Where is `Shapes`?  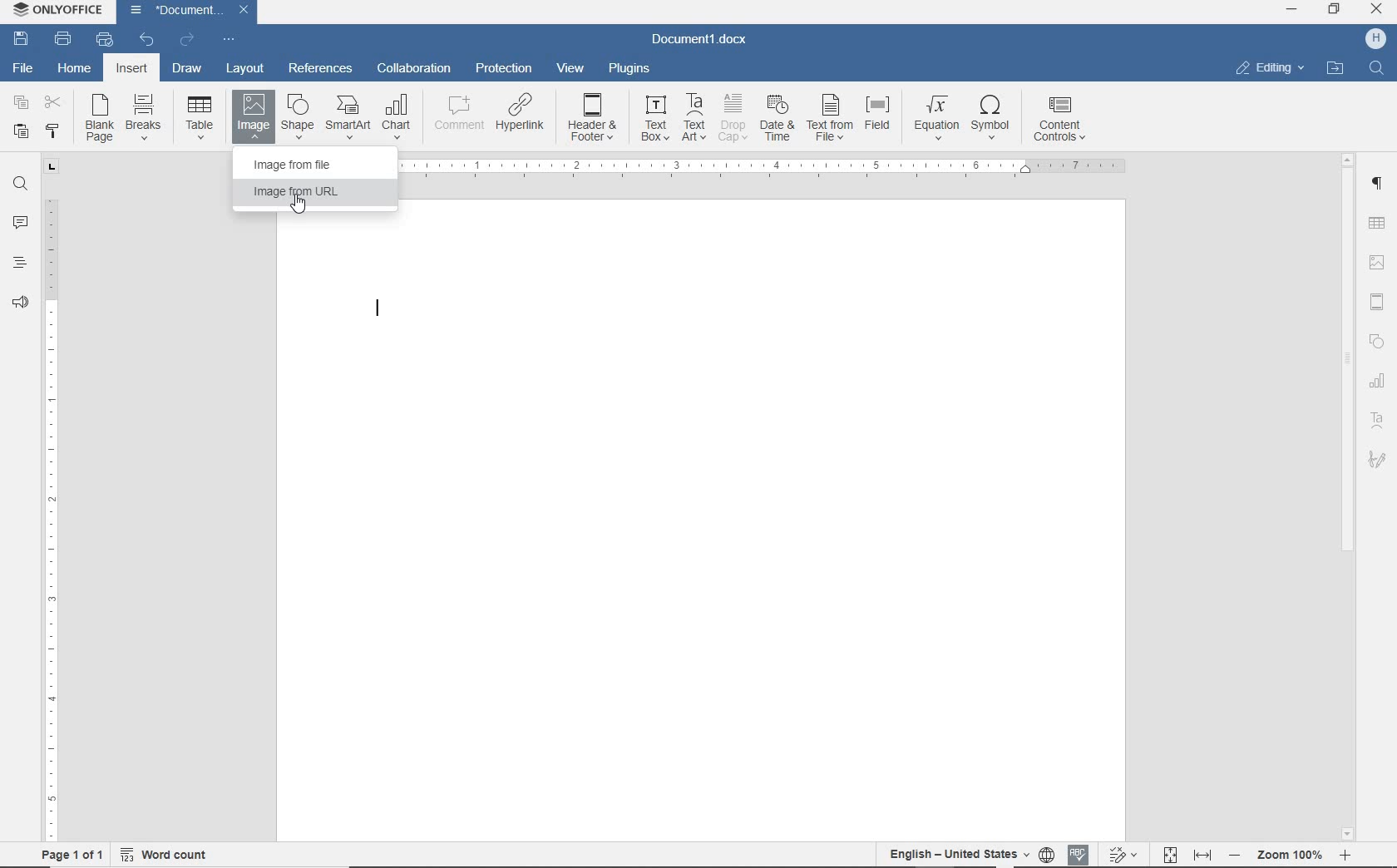
Shapes is located at coordinates (1380, 337).